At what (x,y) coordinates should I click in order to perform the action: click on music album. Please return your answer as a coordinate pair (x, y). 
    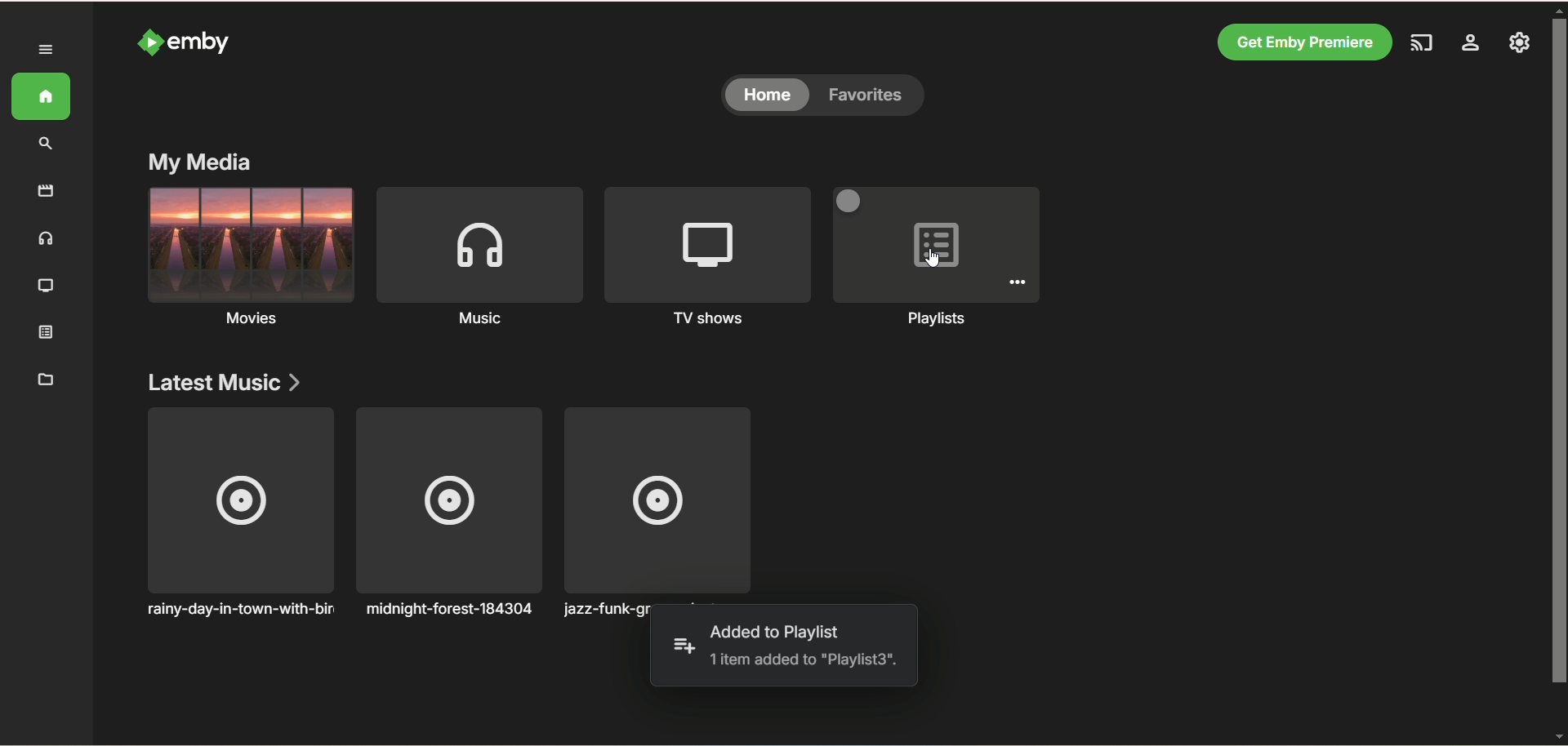
    Looking at the image, I should click on (659, 504).